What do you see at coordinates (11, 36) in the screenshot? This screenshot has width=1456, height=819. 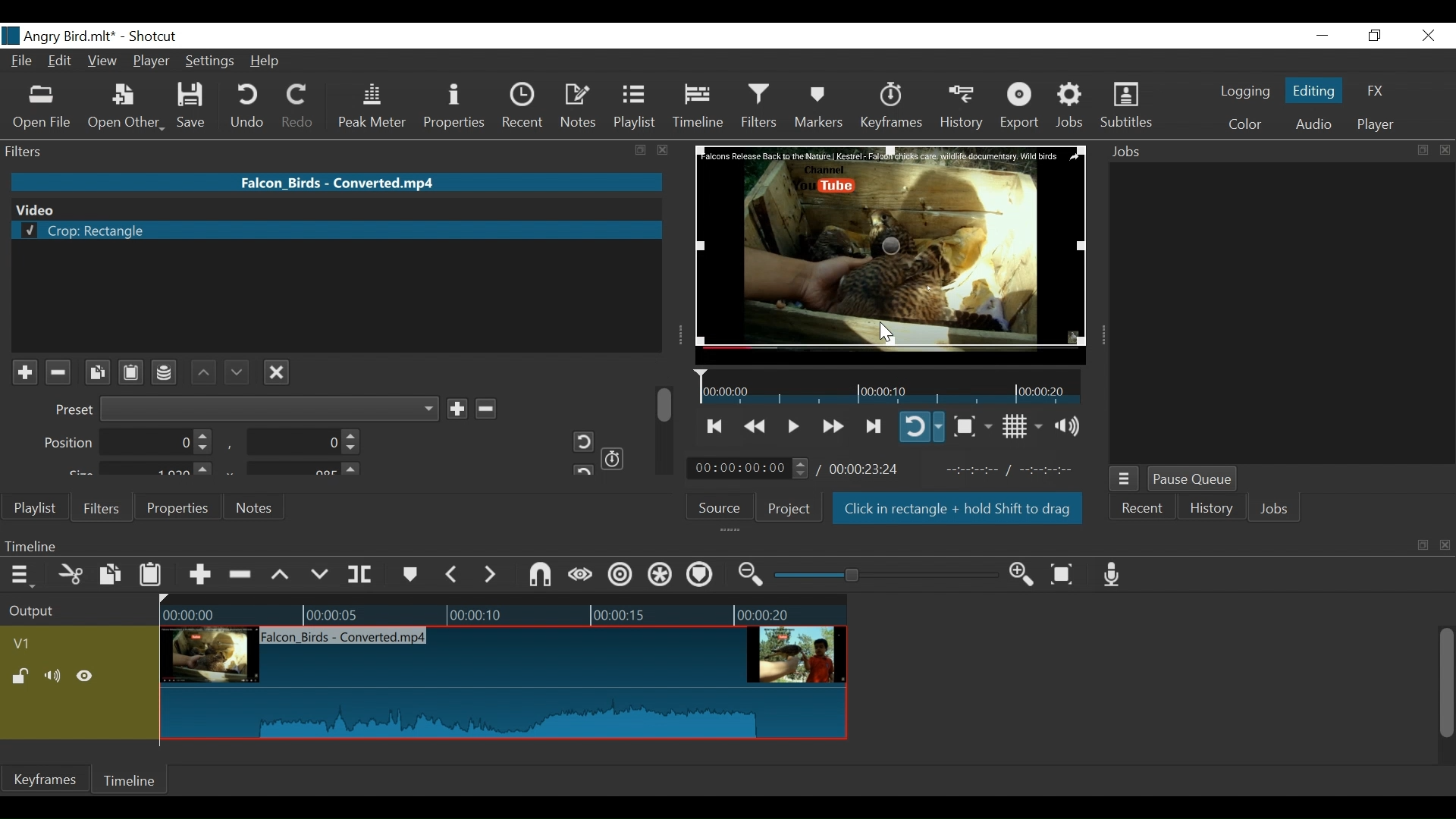 I see `logo` at bounding box center [11, 36].